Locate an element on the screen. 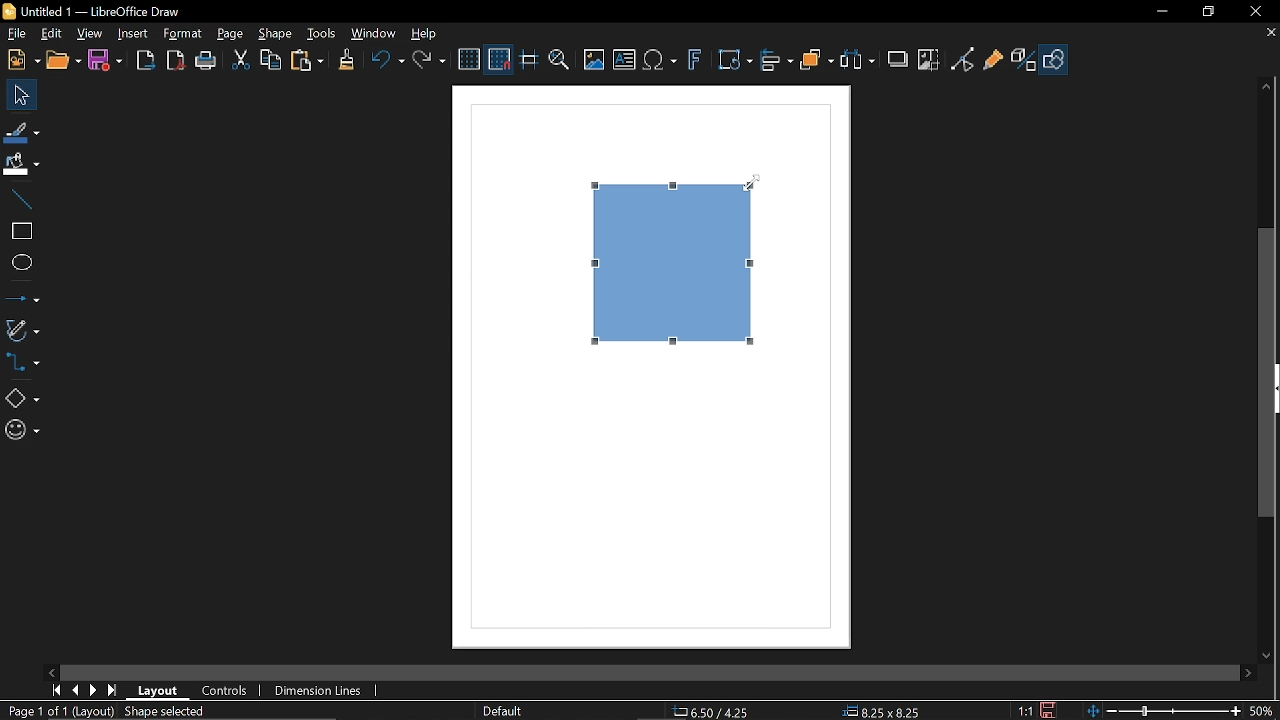 The width and height of the screenshot is (1280, 720). Crop image is located at coordinates (929, 62).